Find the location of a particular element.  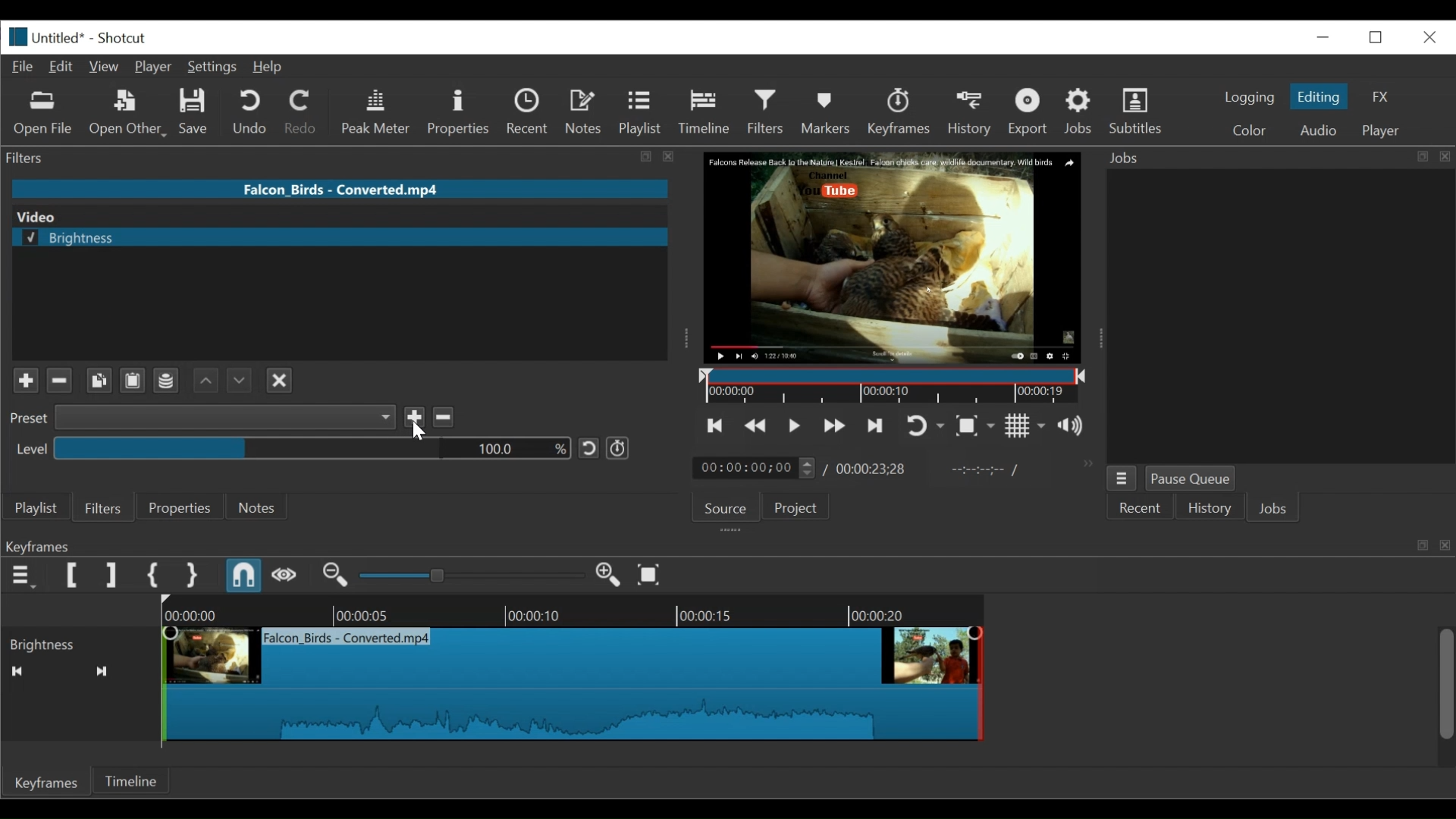

Set Filter First is located at coordinates (74, 576).